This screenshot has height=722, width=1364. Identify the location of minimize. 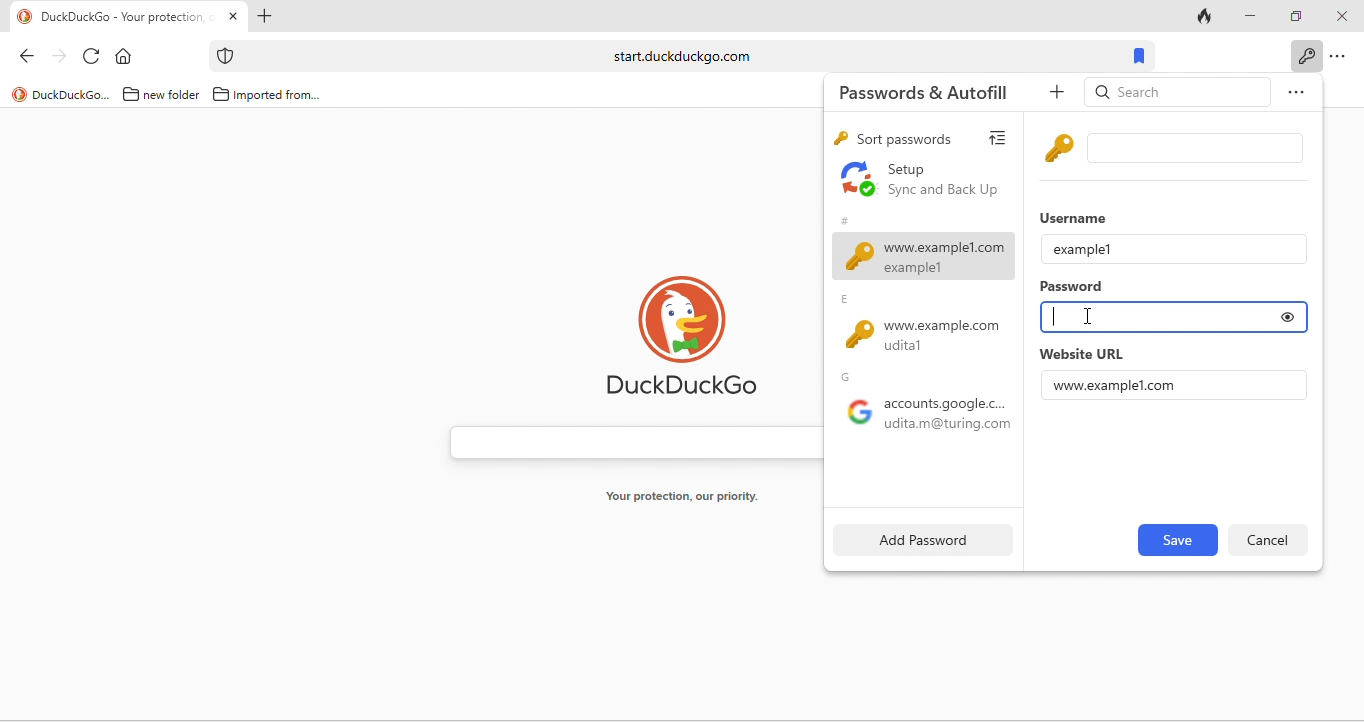
(1247, 14).